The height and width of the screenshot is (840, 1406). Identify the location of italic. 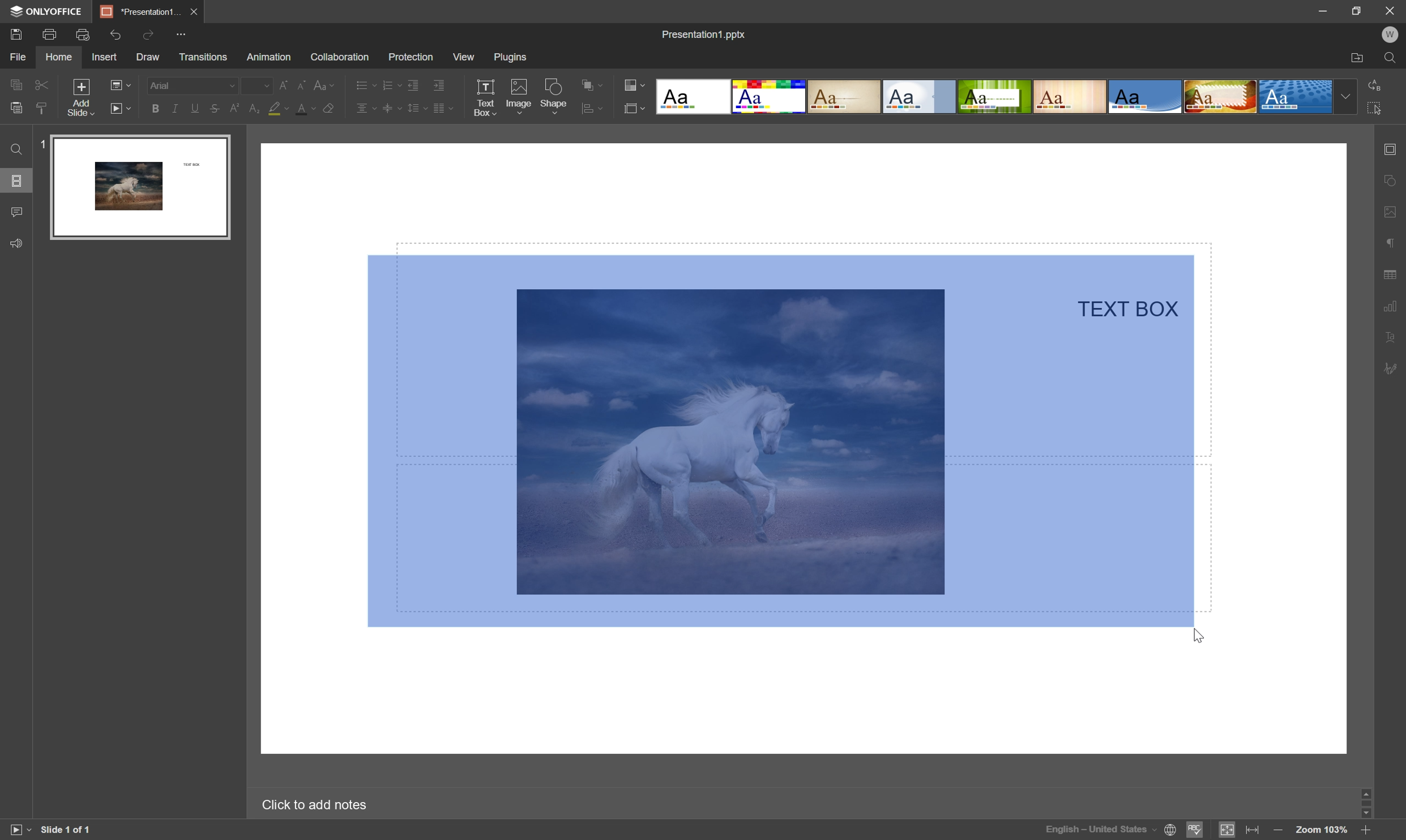
(175, 108).